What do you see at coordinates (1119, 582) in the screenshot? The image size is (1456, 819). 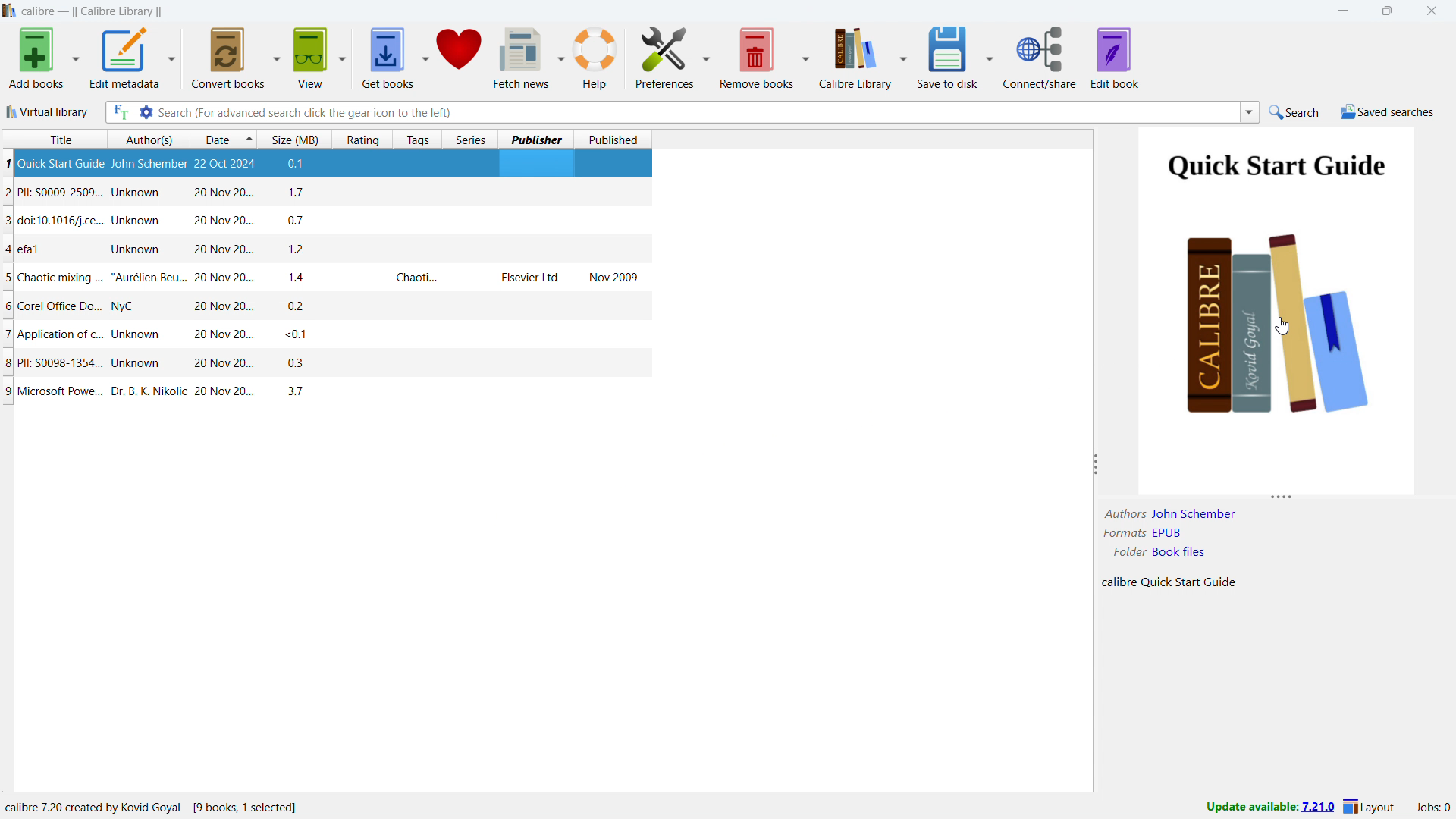 I see `Calibre` at bounding box center [1119, 582].